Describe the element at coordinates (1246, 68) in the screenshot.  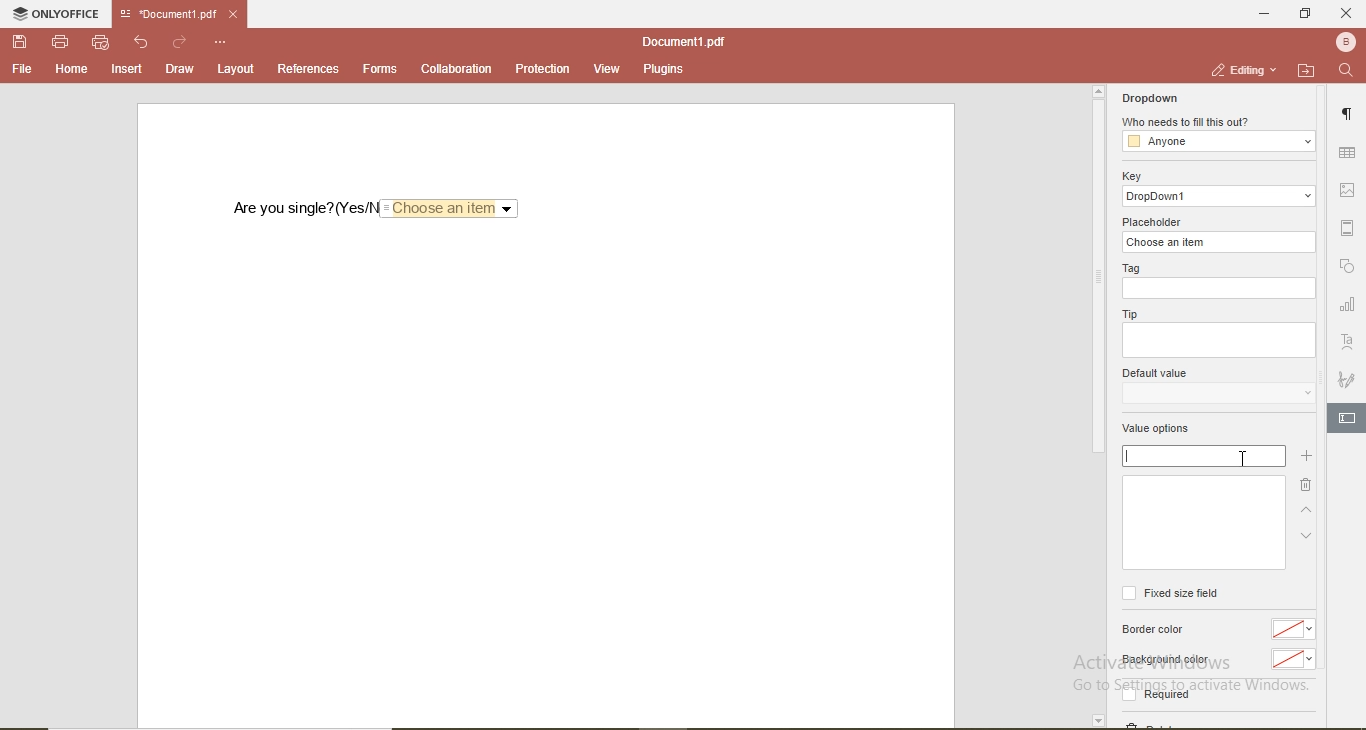
I see `editing` at that location.